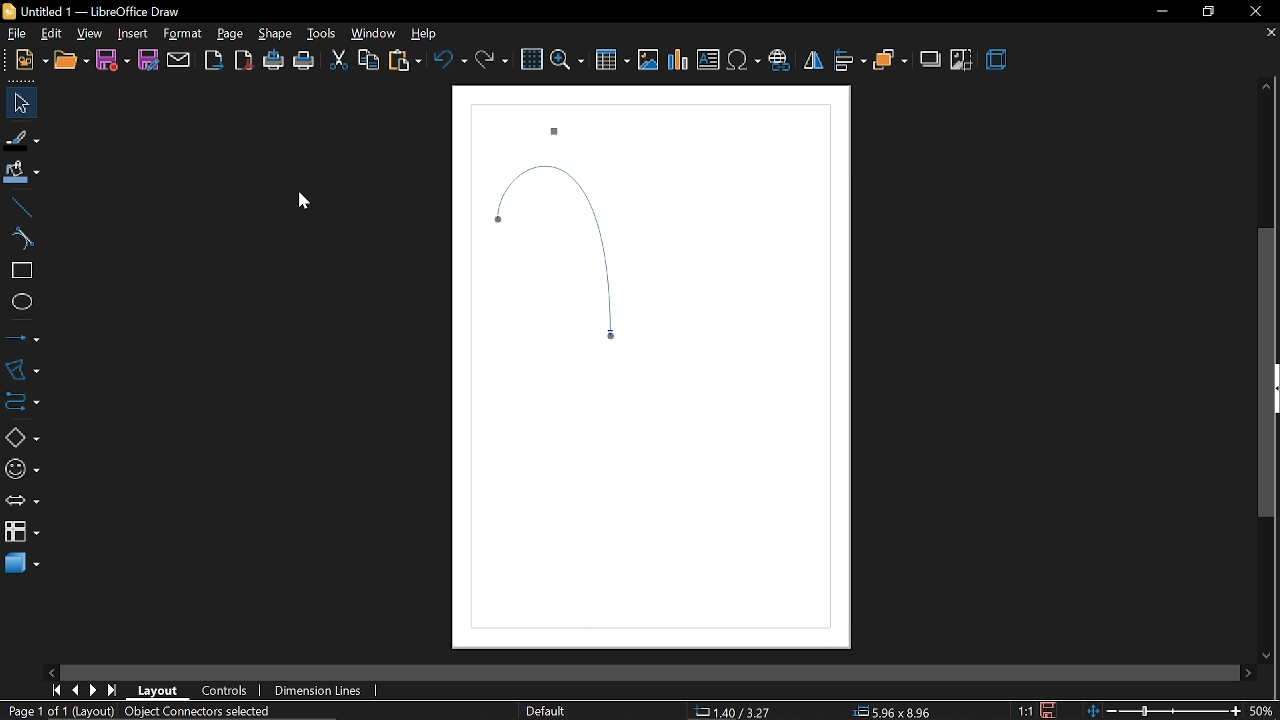 Image resolution: width=1280 pixels, height=720 pixels. I want to click on help, so click(424, 33).